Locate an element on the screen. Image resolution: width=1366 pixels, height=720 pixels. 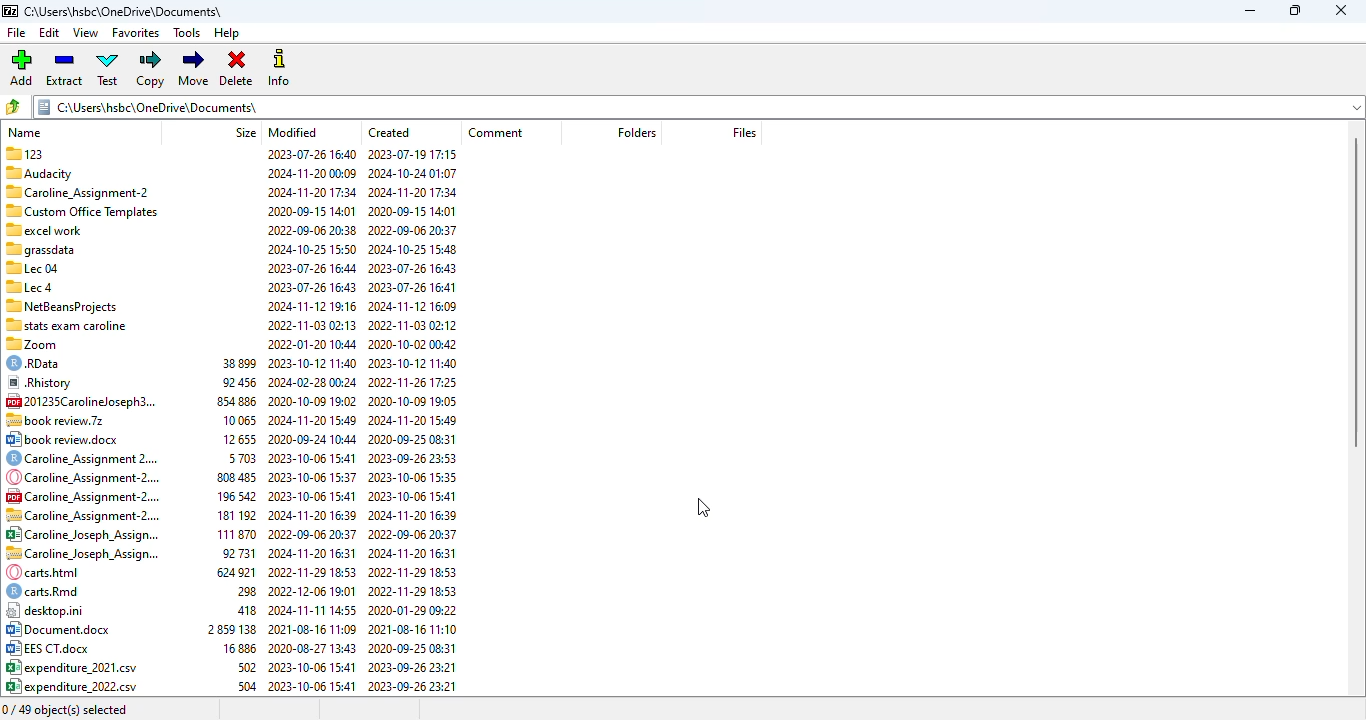
&& Caroline Assignment-2.... 196542 2023-10-06 15:41 2023-10-06 15:41 is located at coordinates (232, 477).